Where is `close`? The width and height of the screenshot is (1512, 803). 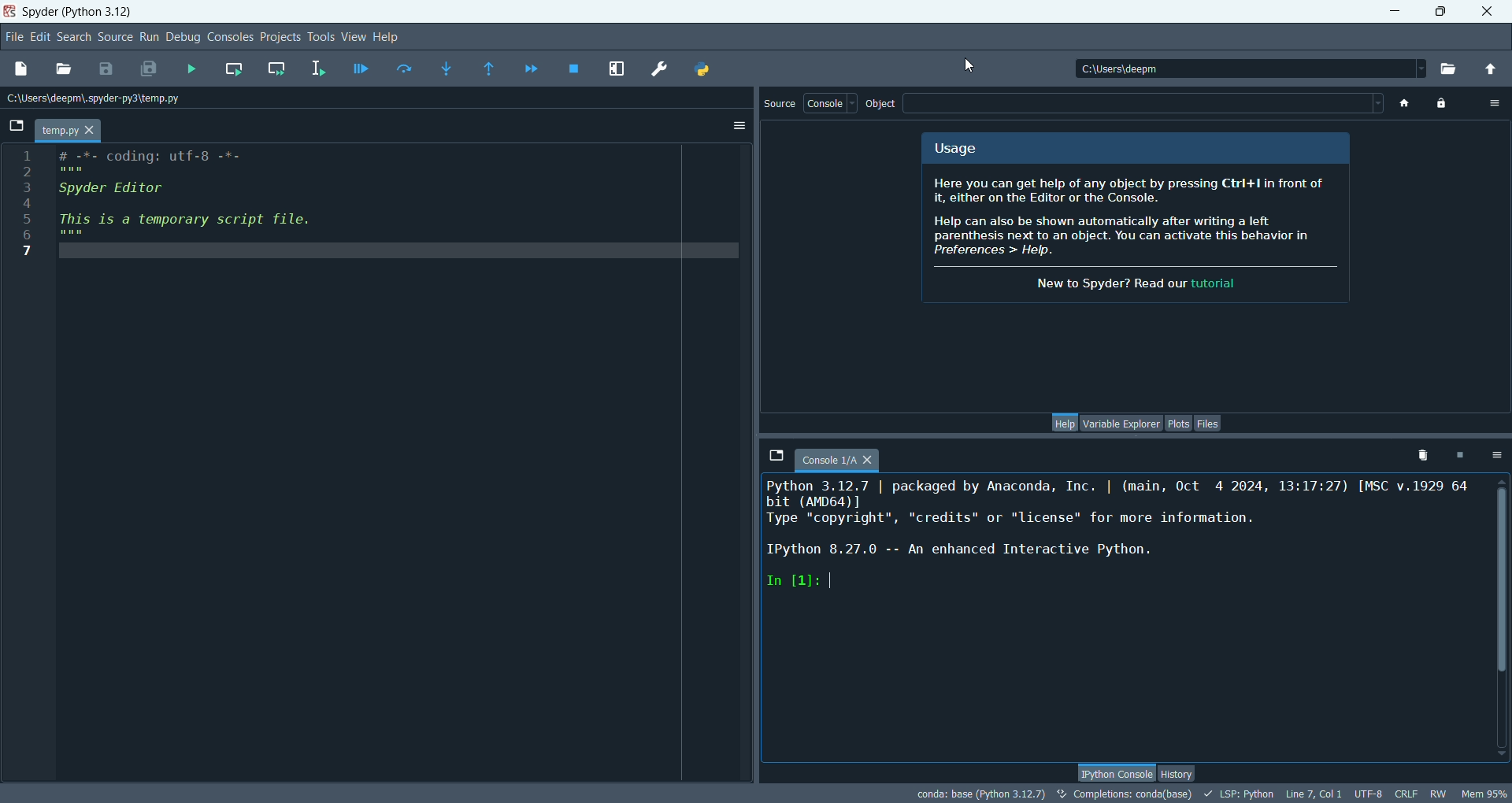 close is located at coordinates (1489, 10).